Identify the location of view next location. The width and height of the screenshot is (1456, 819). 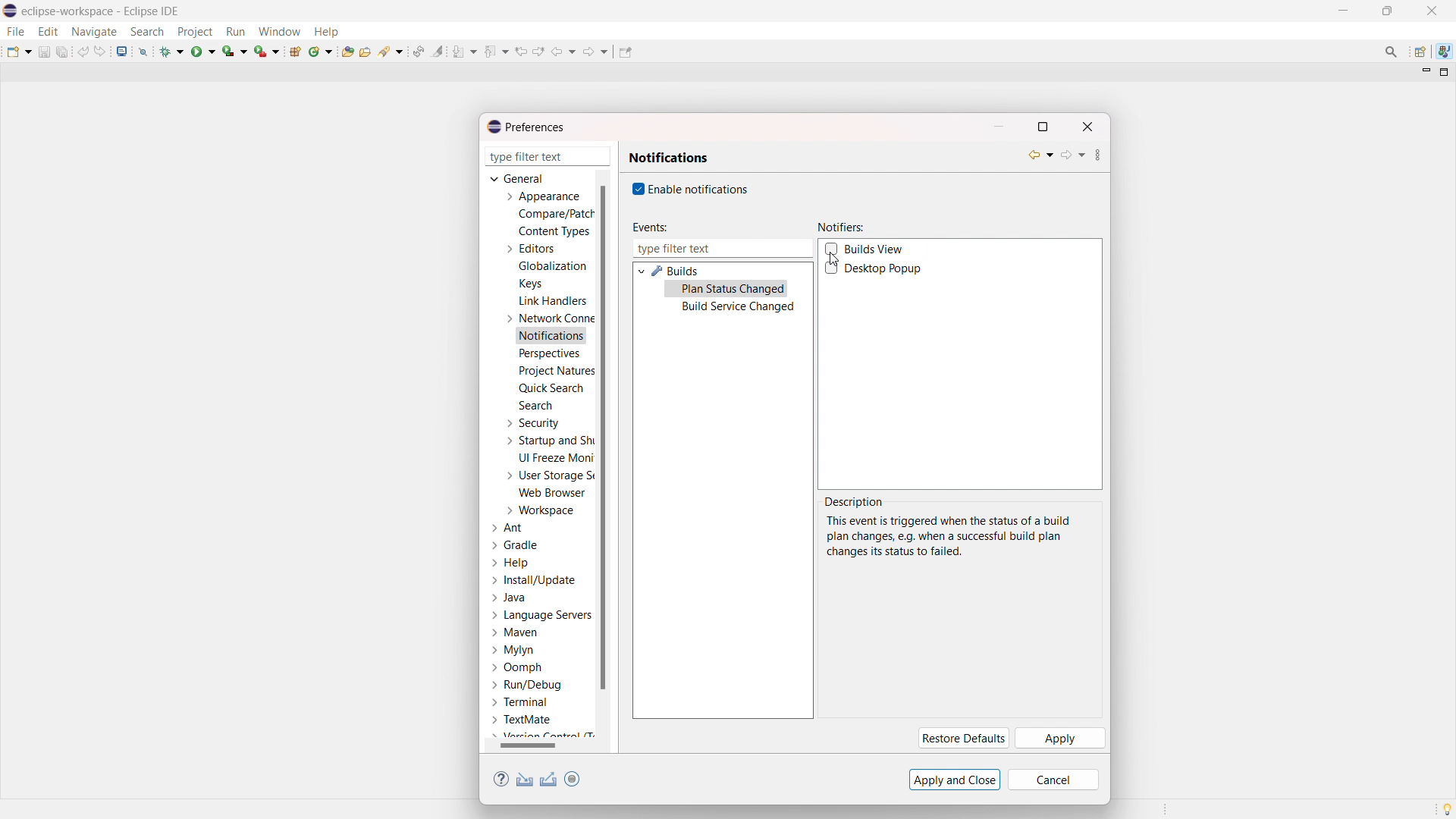
(538, 50).